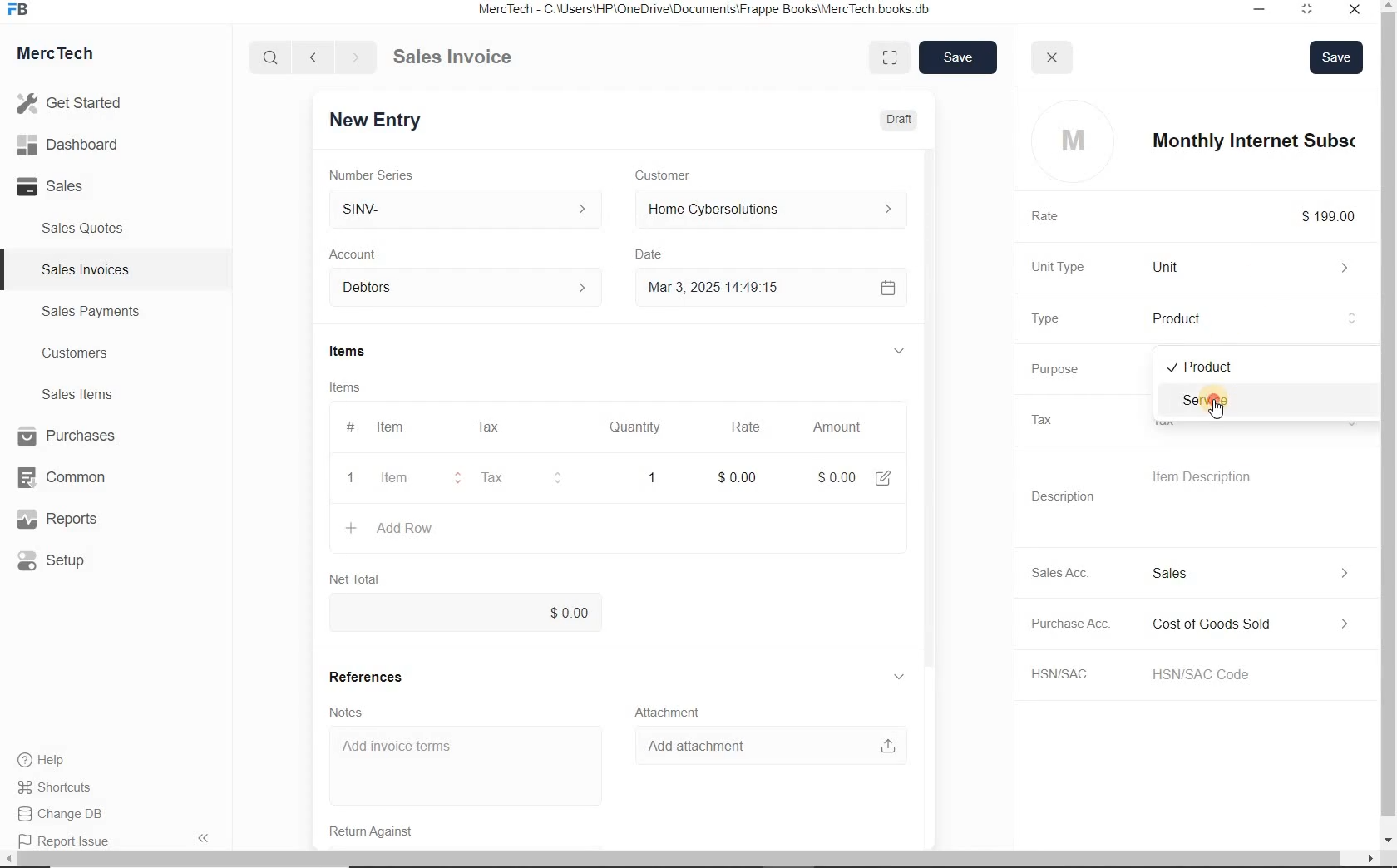 The image size is (1397, 868). What do you see at coordinates (1053, 58) in the screenshot?
I see `close` at bounding box center [1053, 58].